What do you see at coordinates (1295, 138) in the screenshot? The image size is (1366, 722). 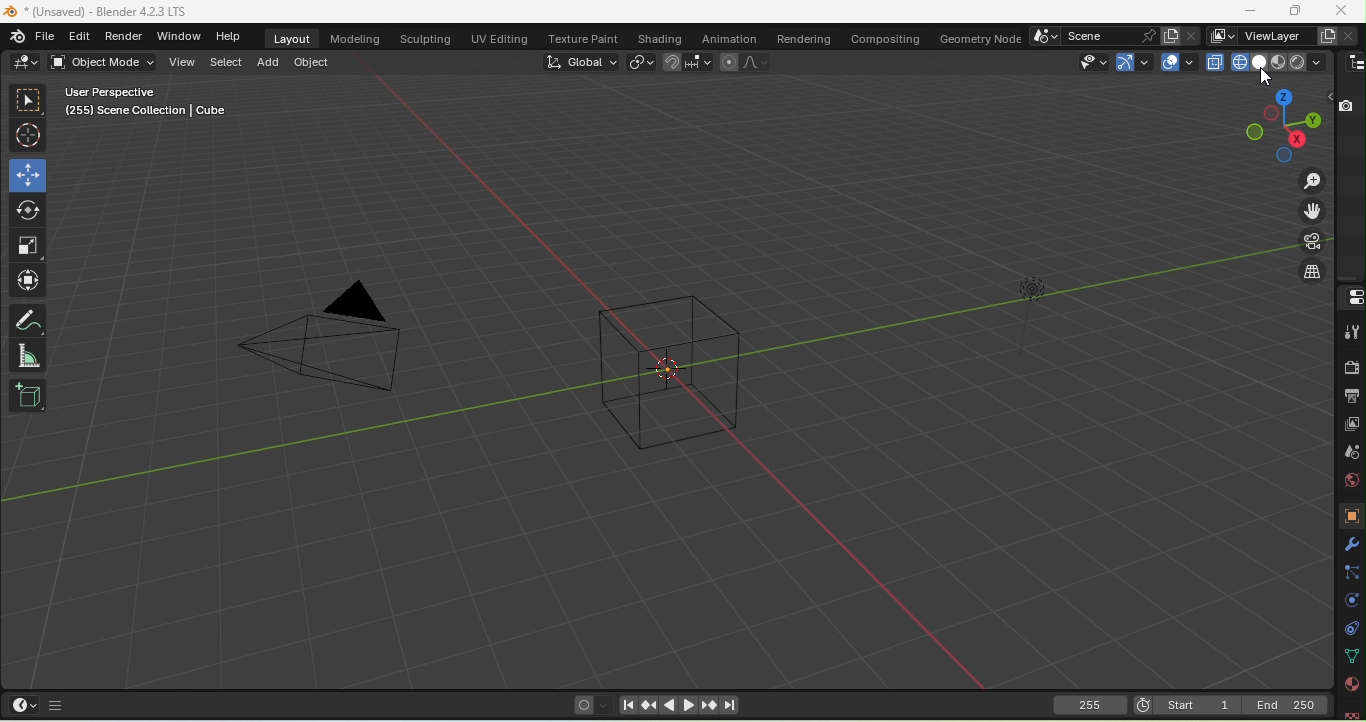 I see `Rotate view` at bounding box center [1295, 138].